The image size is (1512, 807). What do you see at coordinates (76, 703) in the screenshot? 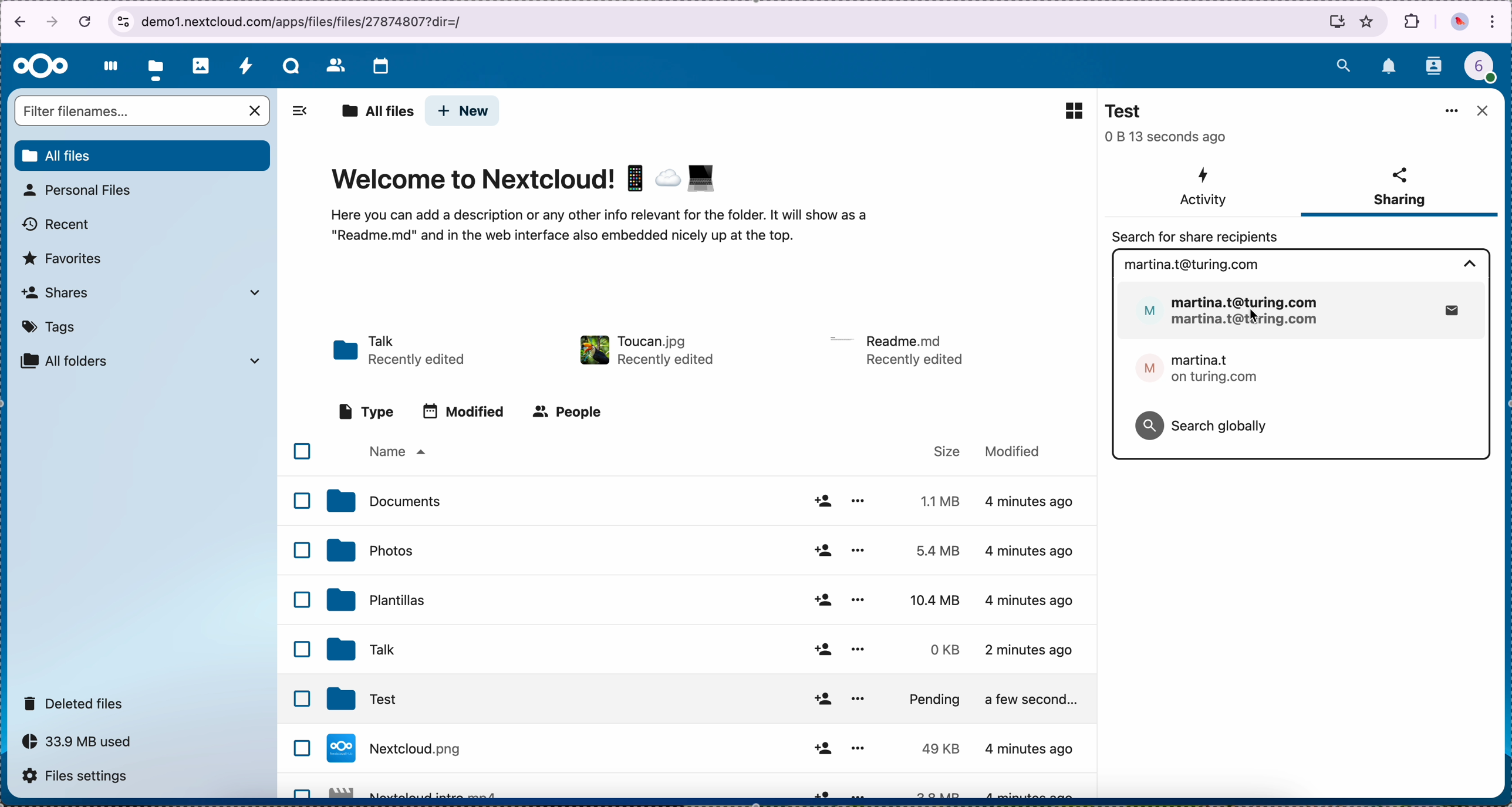
I see `deleted files` at bounding box center [76, 703].